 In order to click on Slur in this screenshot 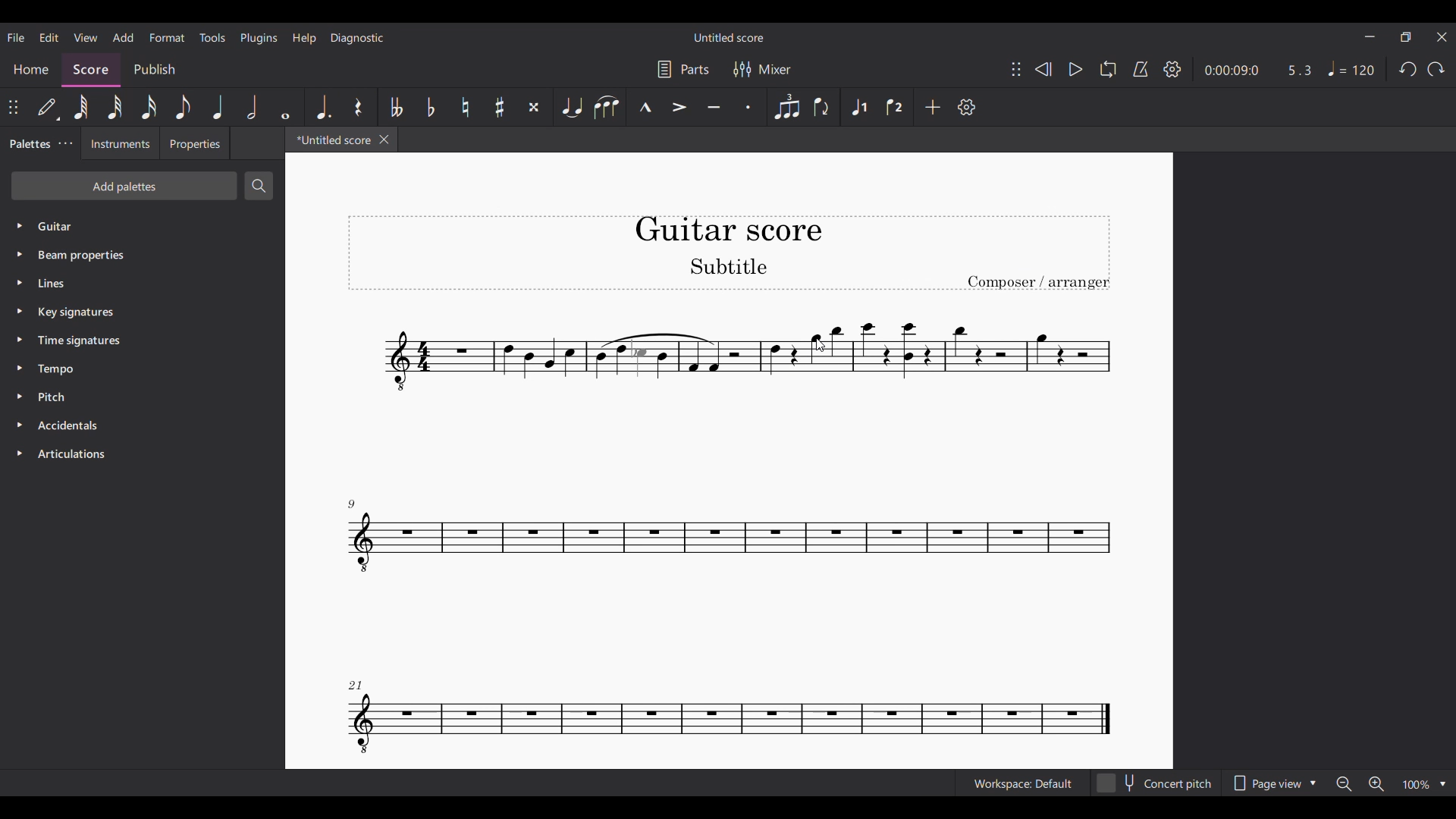, I will do `click(606, 107)`.